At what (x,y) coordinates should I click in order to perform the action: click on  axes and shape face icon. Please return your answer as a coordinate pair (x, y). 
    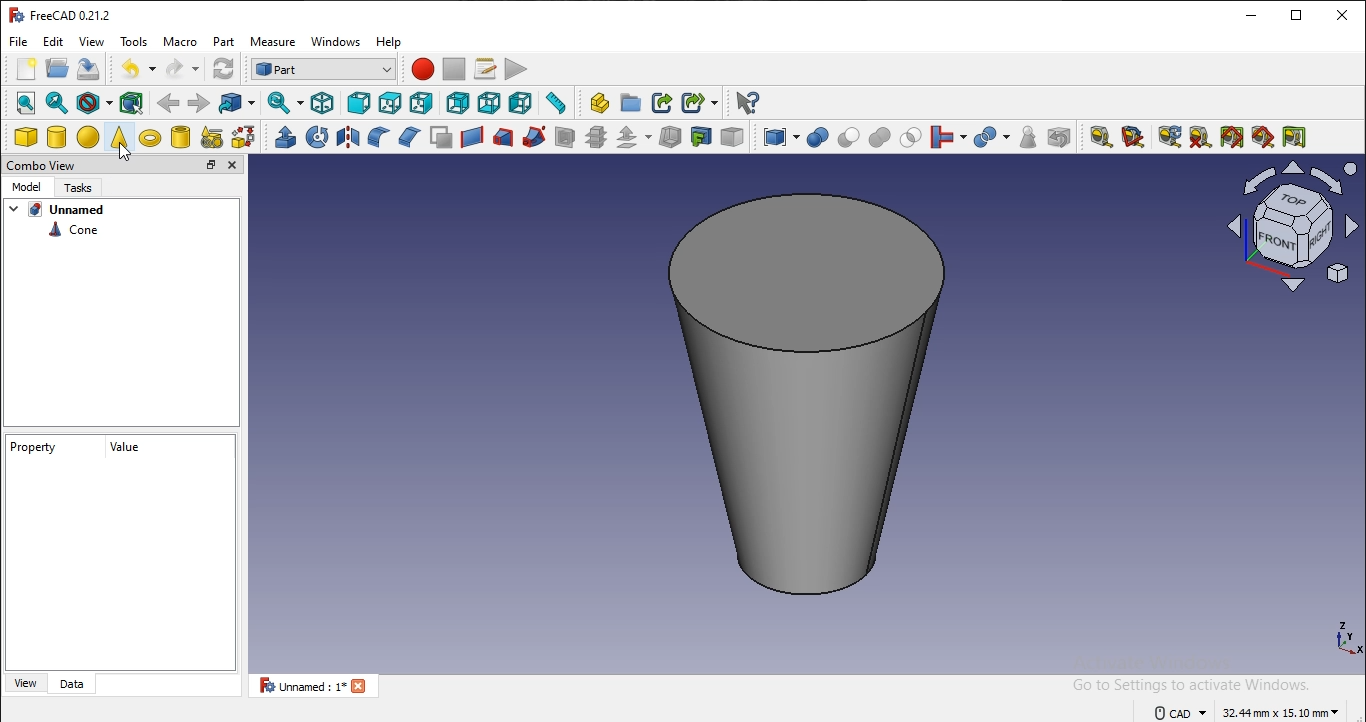
    Looking at the image, I should click on (1295, 227).